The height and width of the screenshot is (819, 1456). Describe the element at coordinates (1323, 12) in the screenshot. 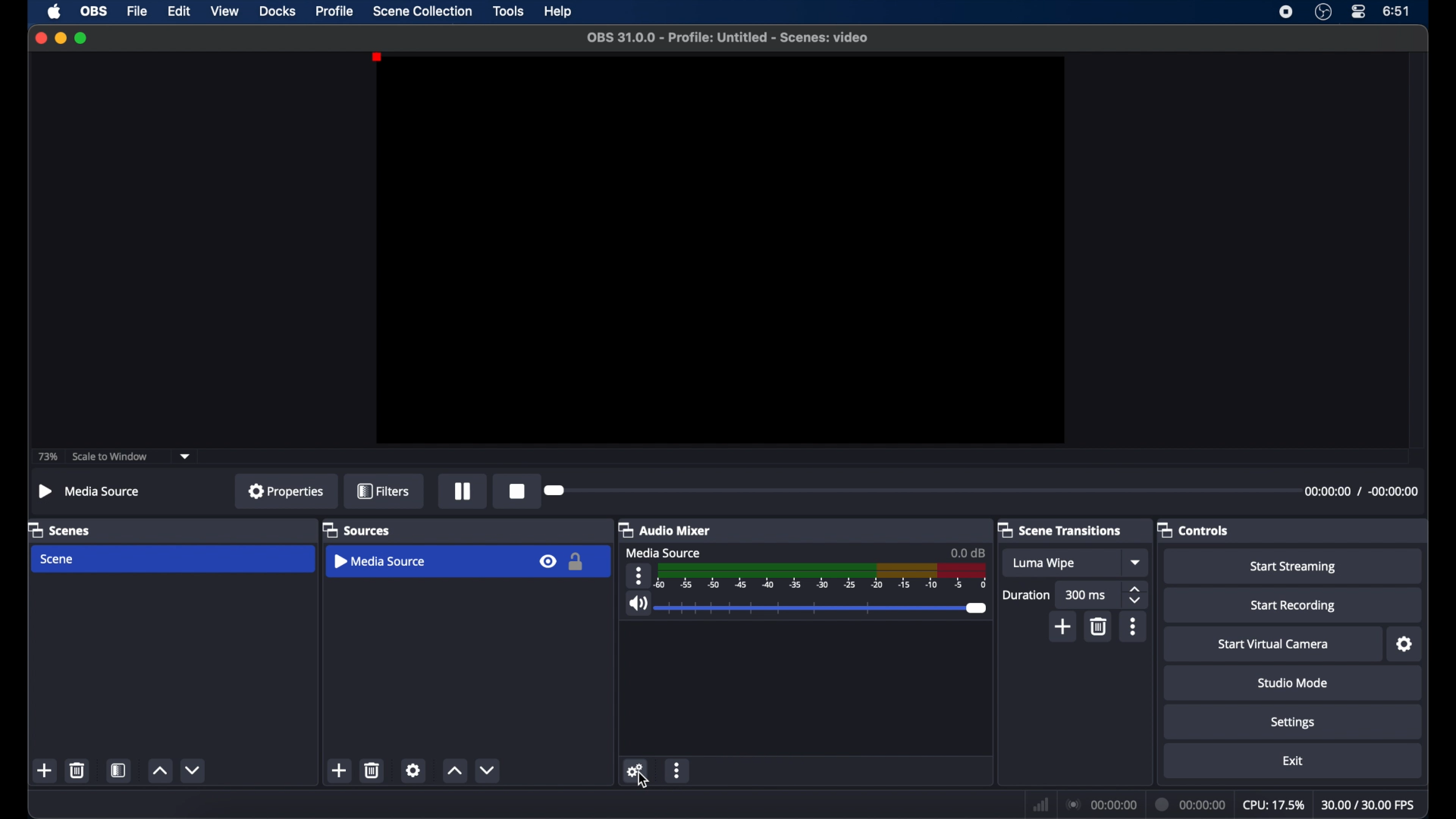

I see `obsstudio` at that location.